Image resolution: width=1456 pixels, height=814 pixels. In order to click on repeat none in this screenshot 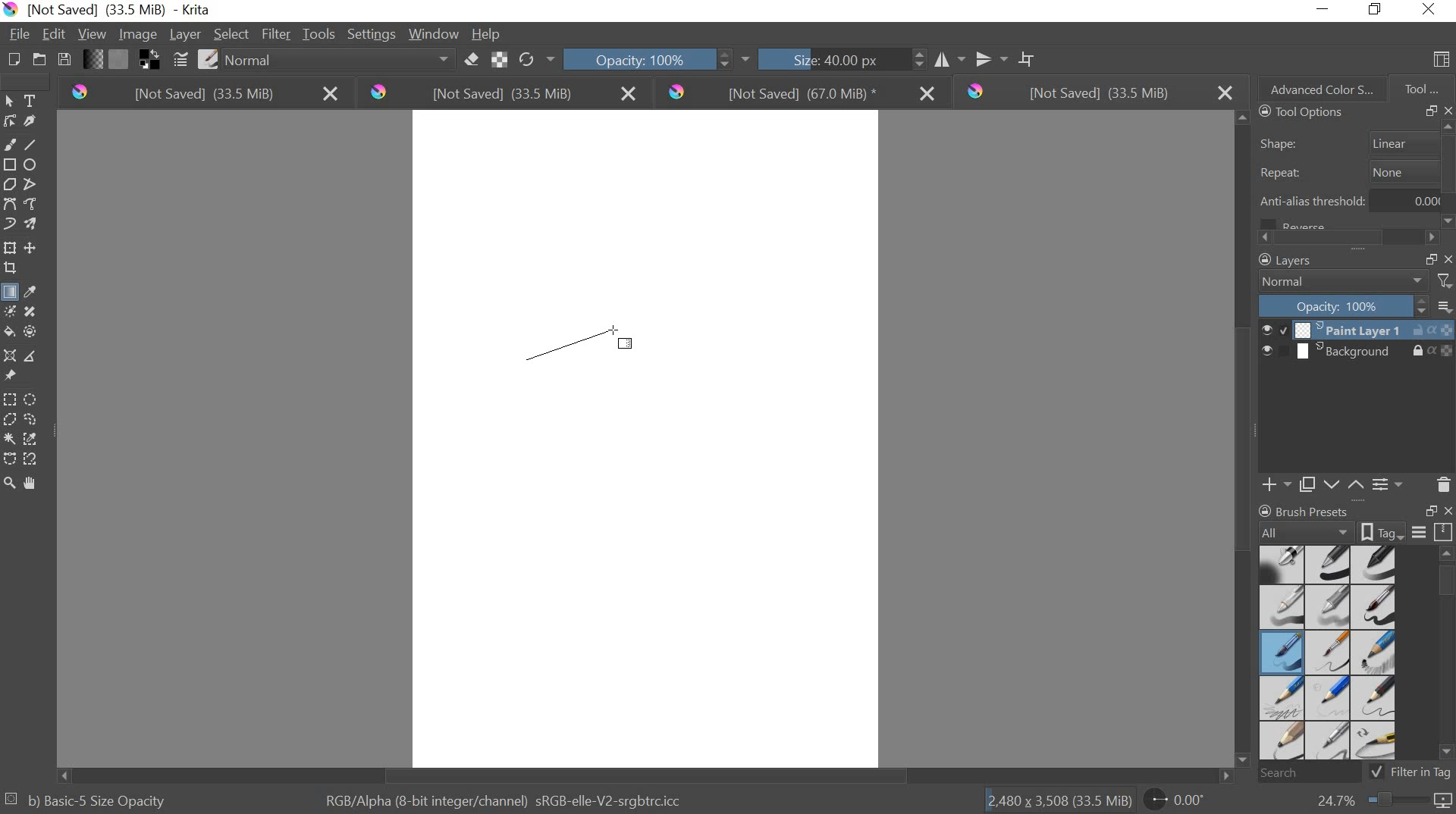, I will do `click(1351, 173)`.